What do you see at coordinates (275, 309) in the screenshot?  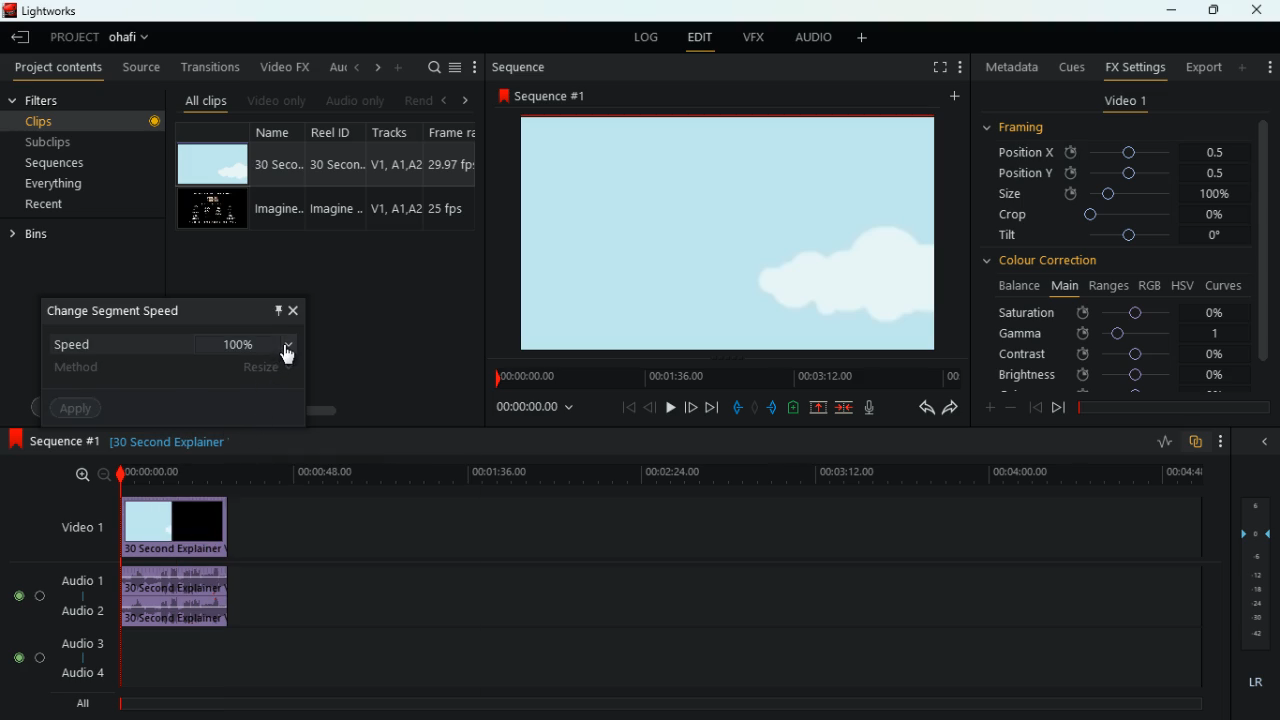 I see `pin` at bounding box center [275, 309].